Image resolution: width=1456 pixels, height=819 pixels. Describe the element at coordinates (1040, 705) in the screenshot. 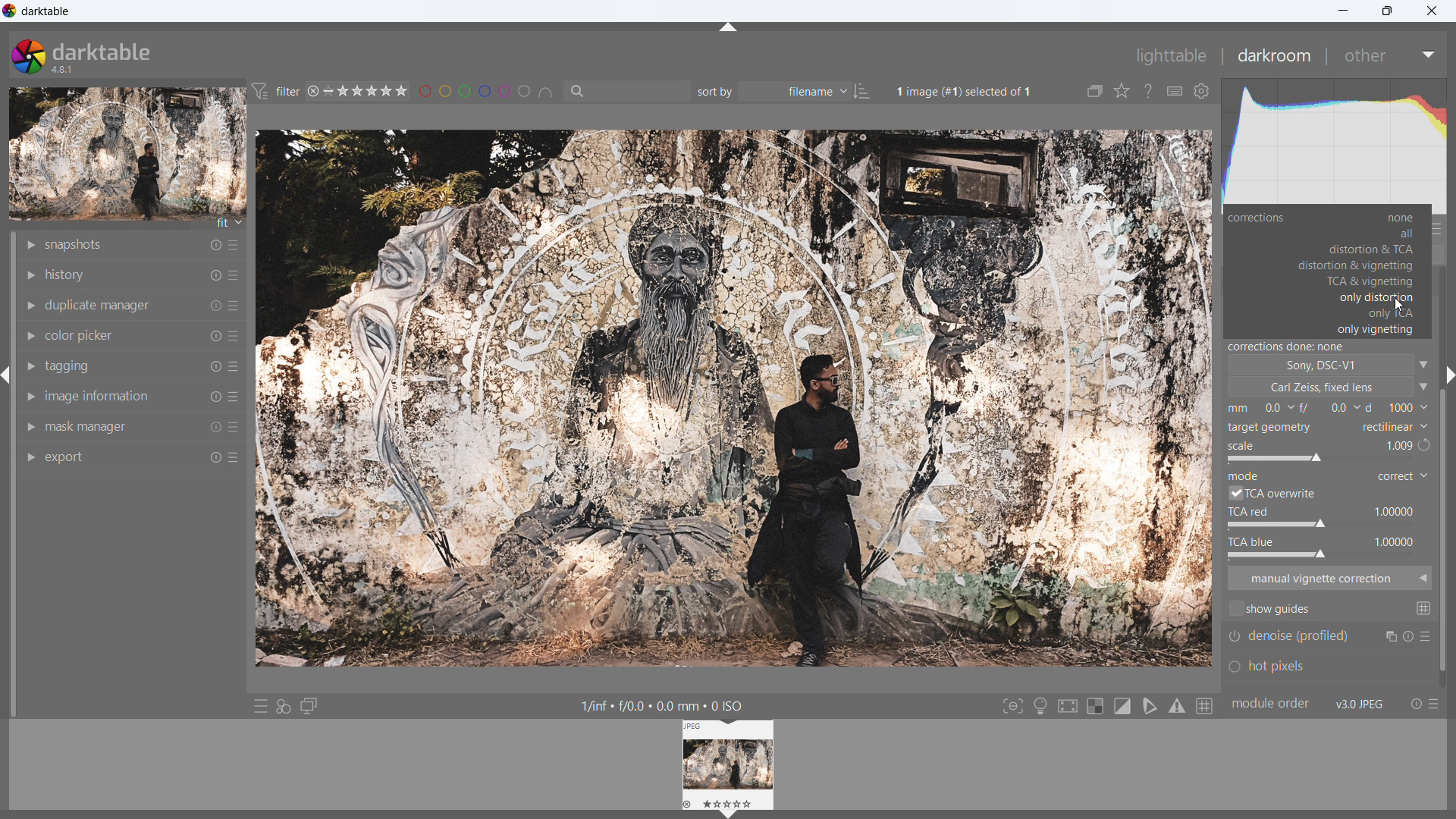

I see `toggle ISO 12646 color assessment conditions` at that location.